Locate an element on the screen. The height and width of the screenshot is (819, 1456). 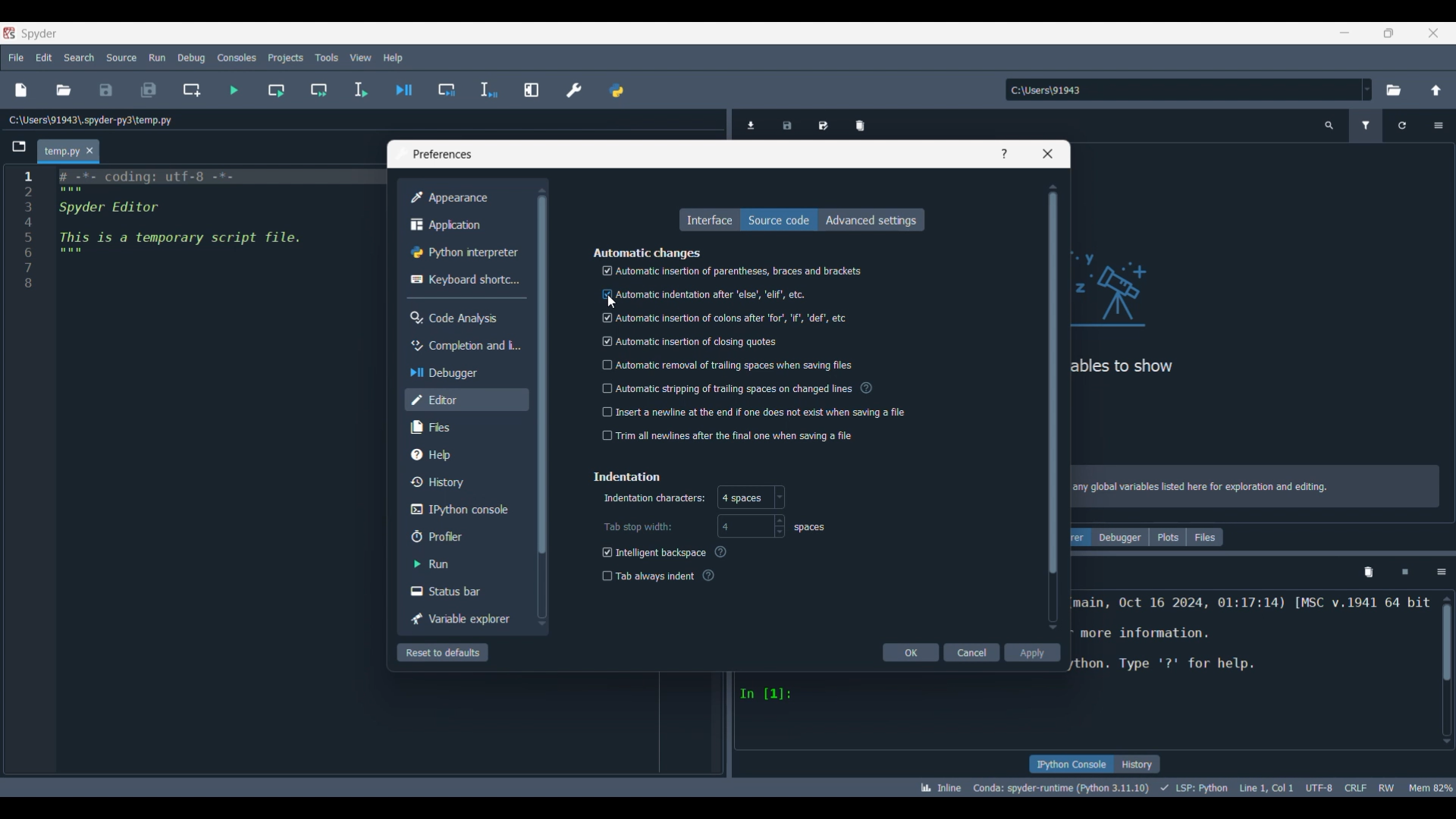
Code details is located at coordinates (1186, 788).